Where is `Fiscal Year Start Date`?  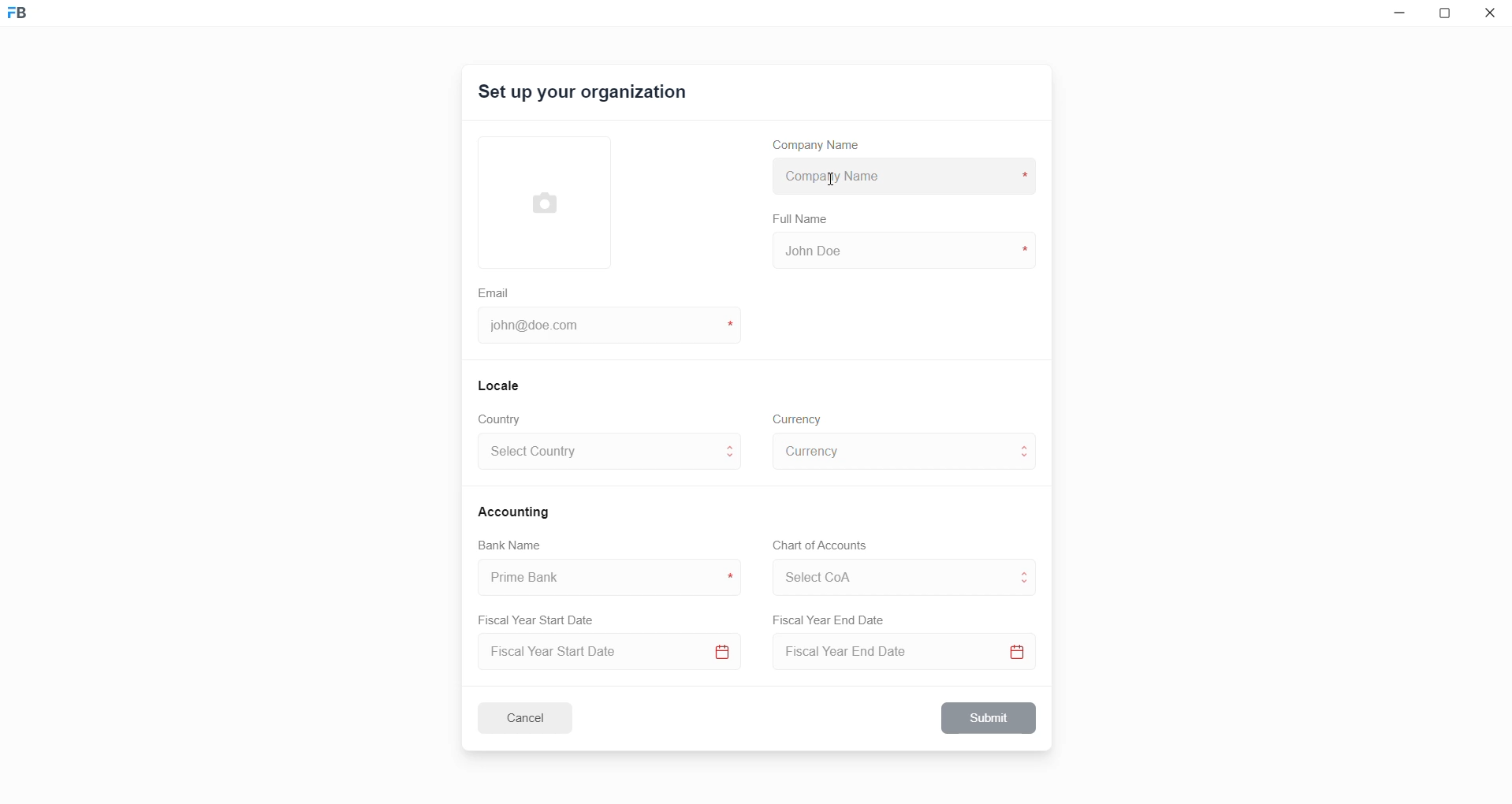 Fiscal Year Start Date is located at coordinates (542, 617).